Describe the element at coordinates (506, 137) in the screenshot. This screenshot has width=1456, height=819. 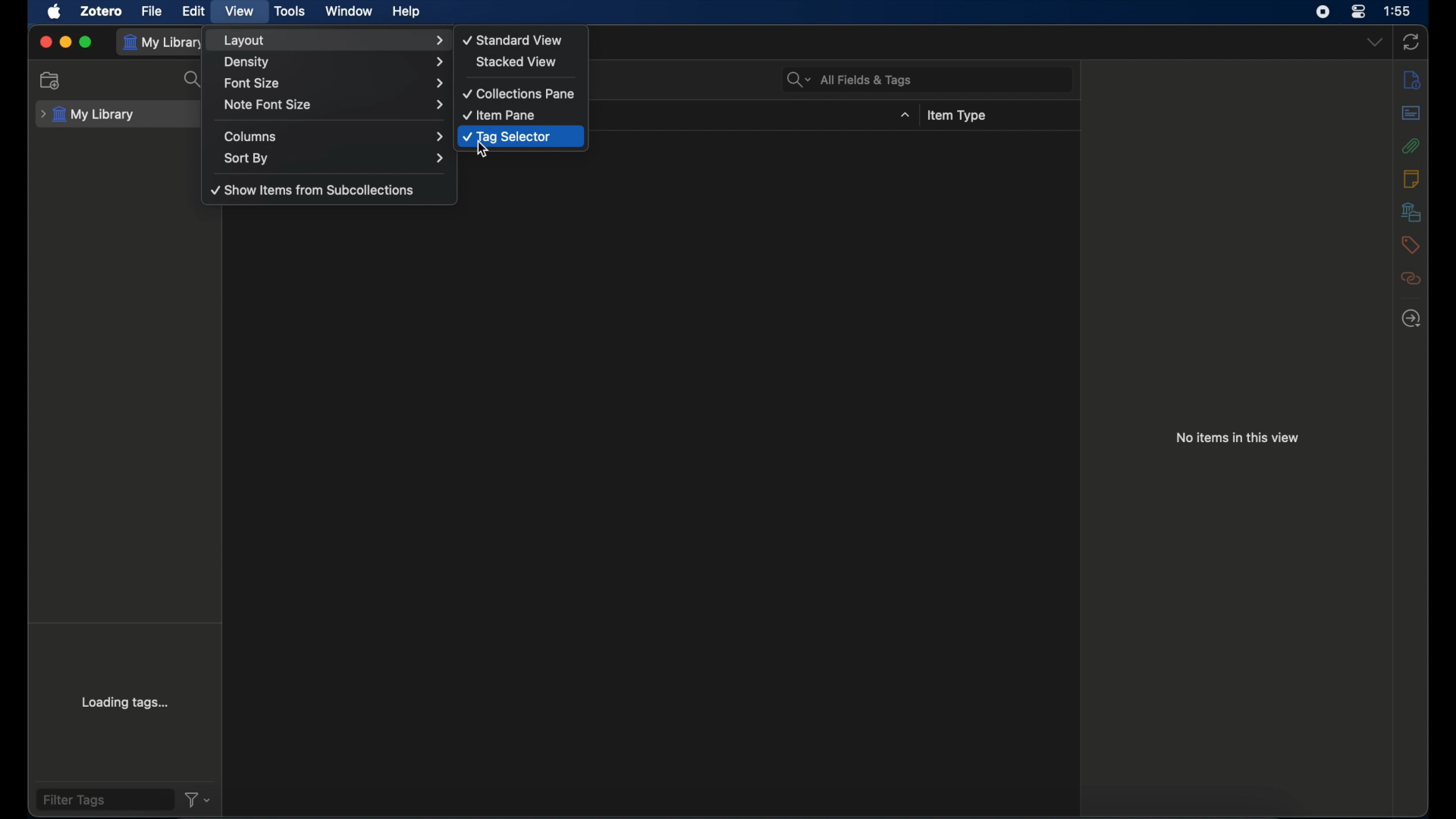
I see `tag selector` at that location.